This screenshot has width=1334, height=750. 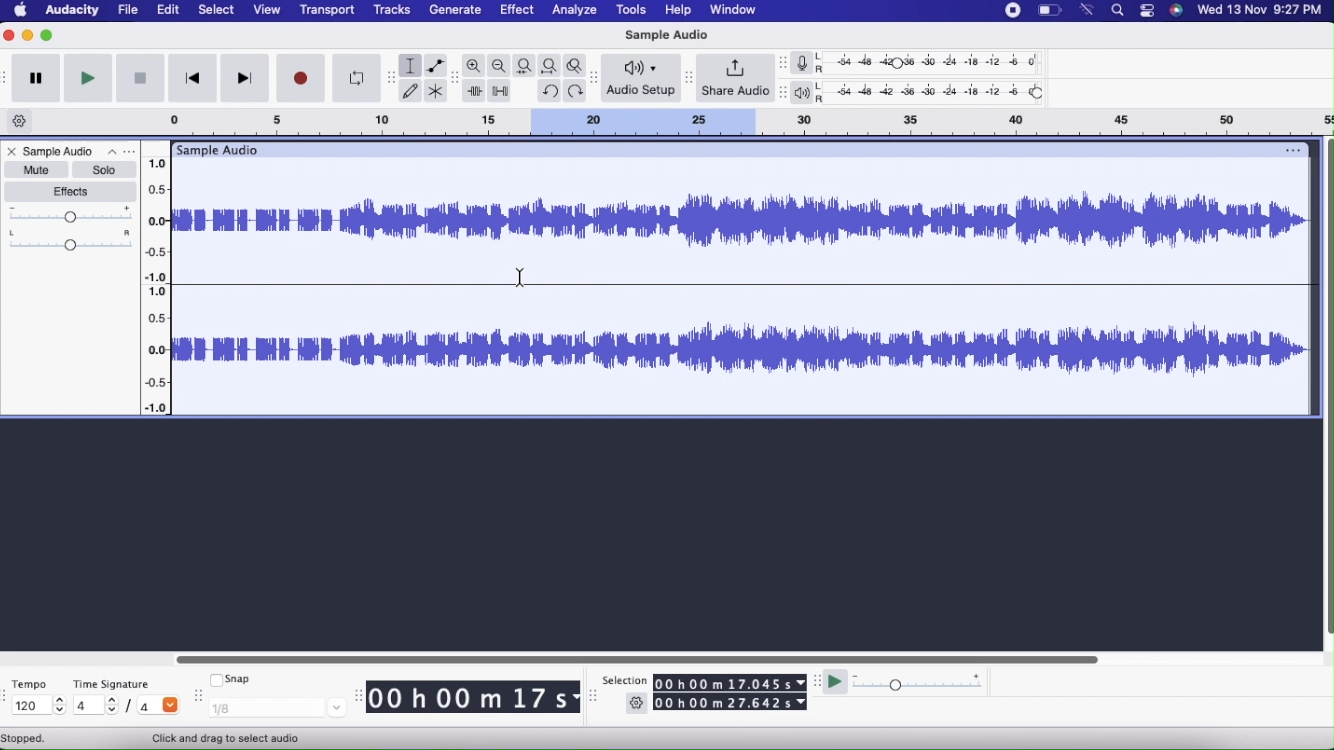 I want to click on Stopped, so click(x=24, y=739).